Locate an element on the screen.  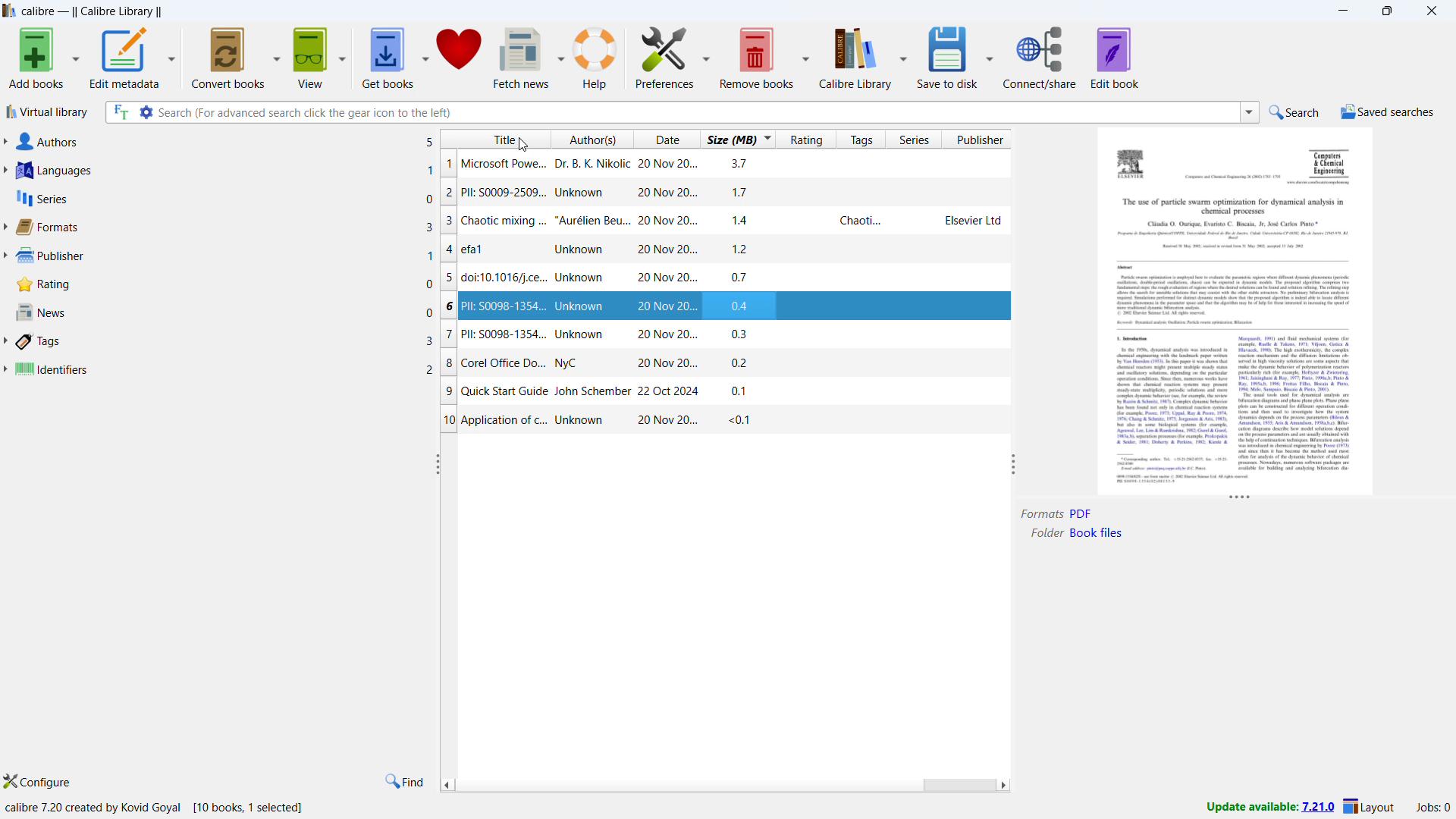
 is located at coordinates (1331, 162).